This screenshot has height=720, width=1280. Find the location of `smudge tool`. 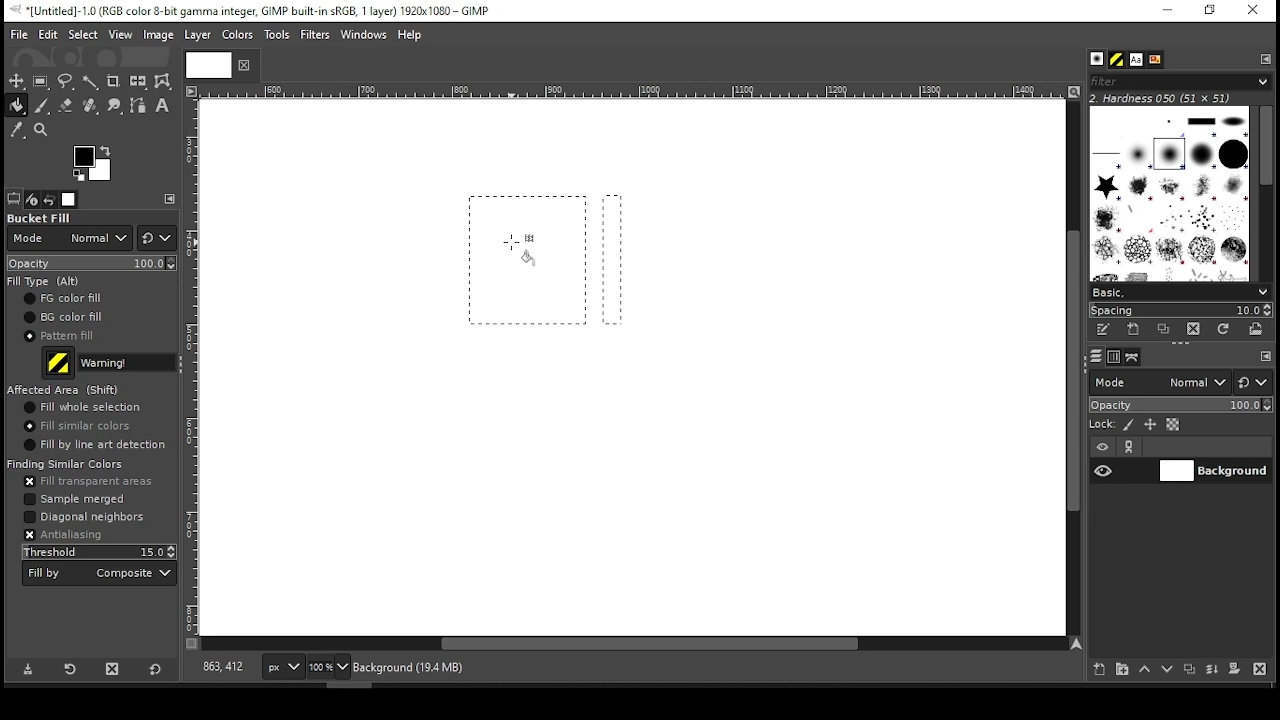

smudge tool is located at coordinates (116, 106).